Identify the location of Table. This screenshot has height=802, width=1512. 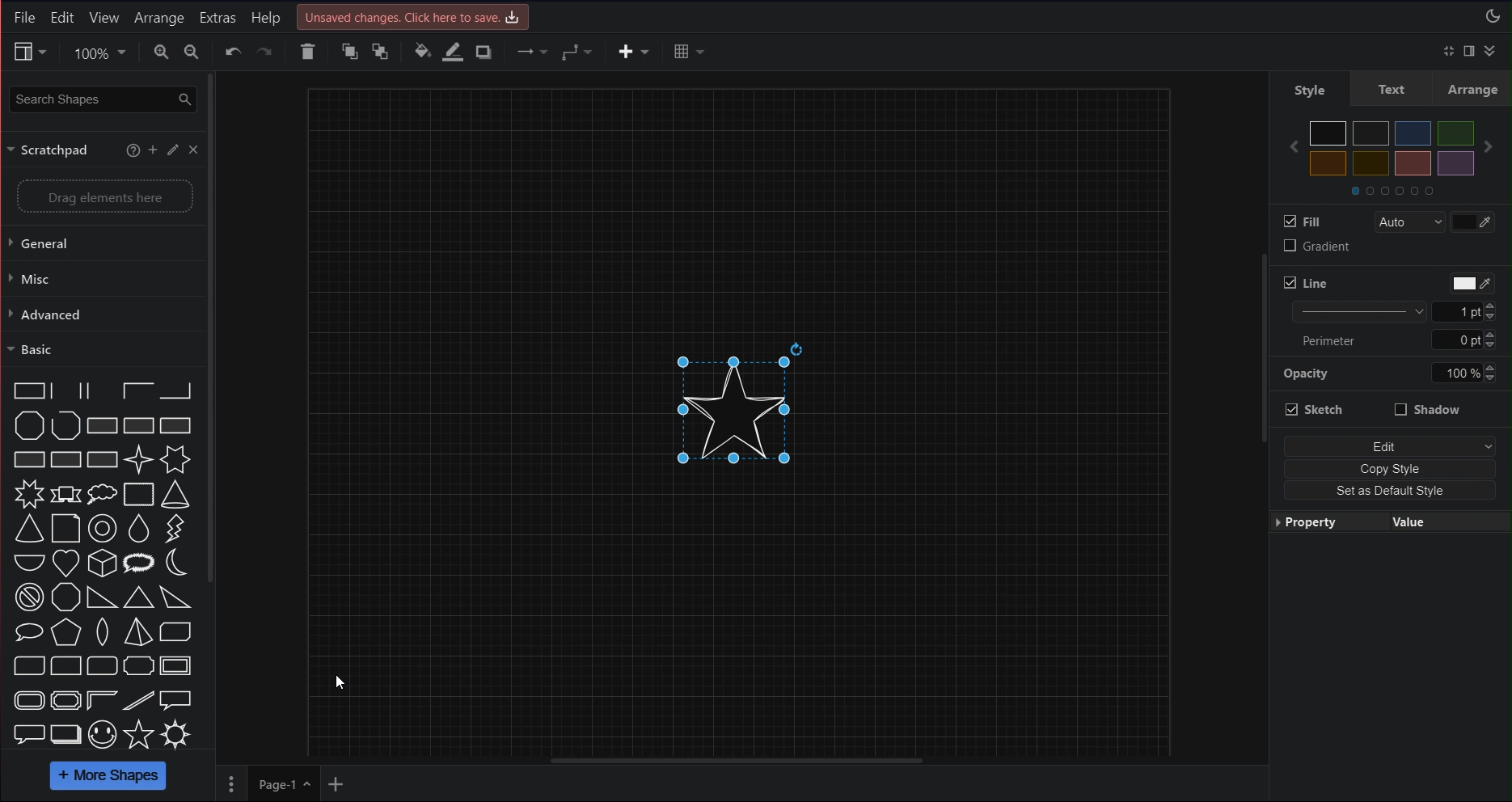
(690, 52).